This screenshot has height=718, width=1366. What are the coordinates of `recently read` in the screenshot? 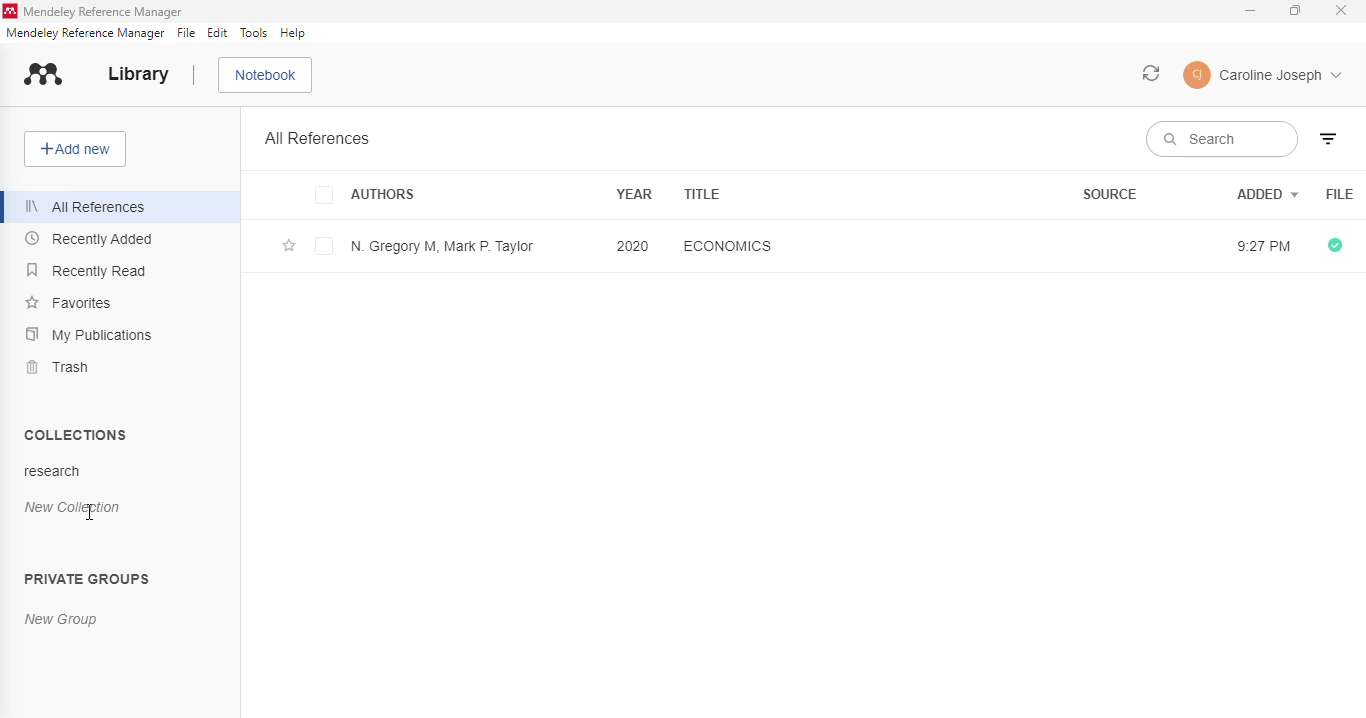 It's located at (88, 270).